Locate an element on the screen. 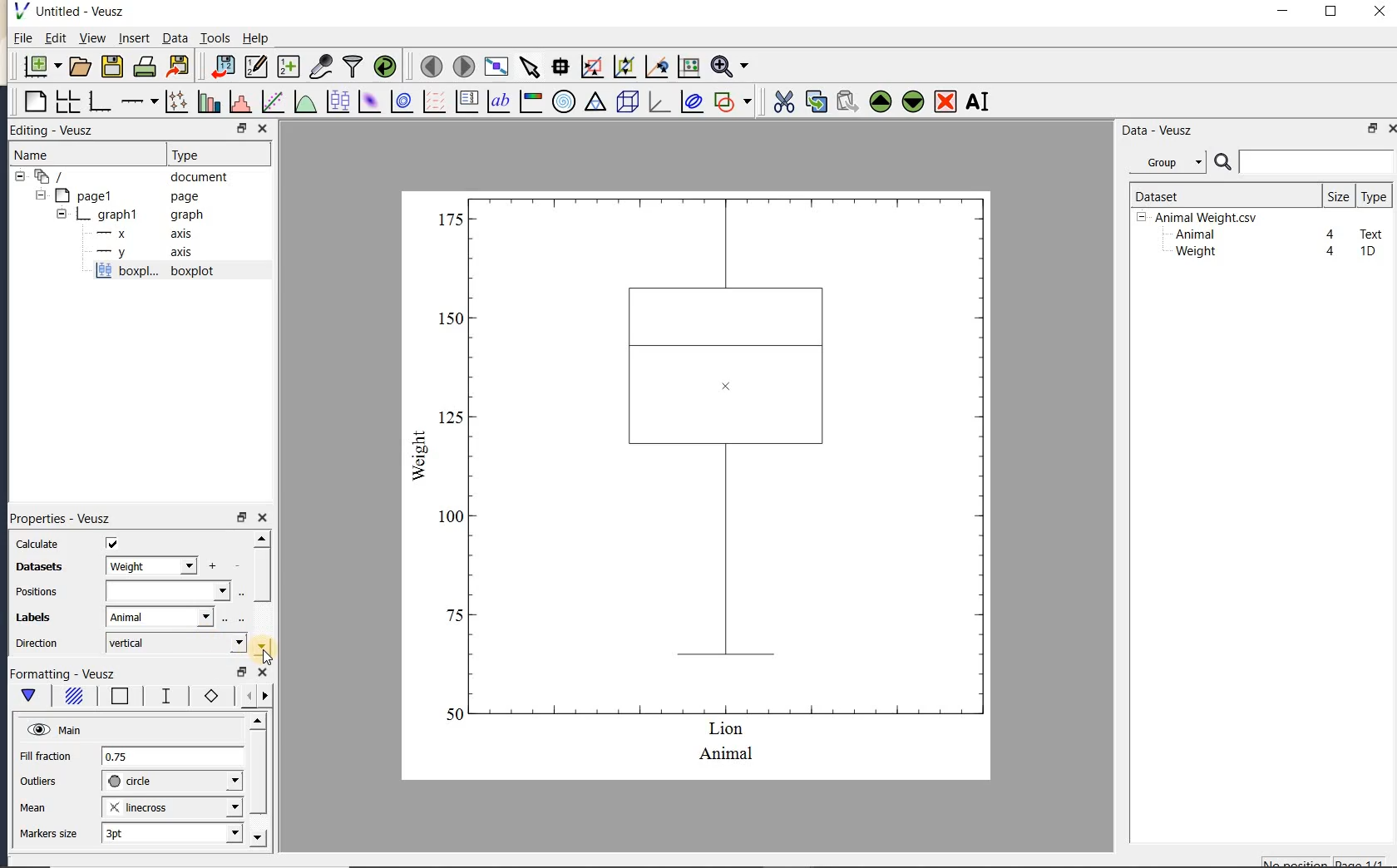 The height and width of the screenshot is (868, 1397). close is located at coordinates (1391, 129).